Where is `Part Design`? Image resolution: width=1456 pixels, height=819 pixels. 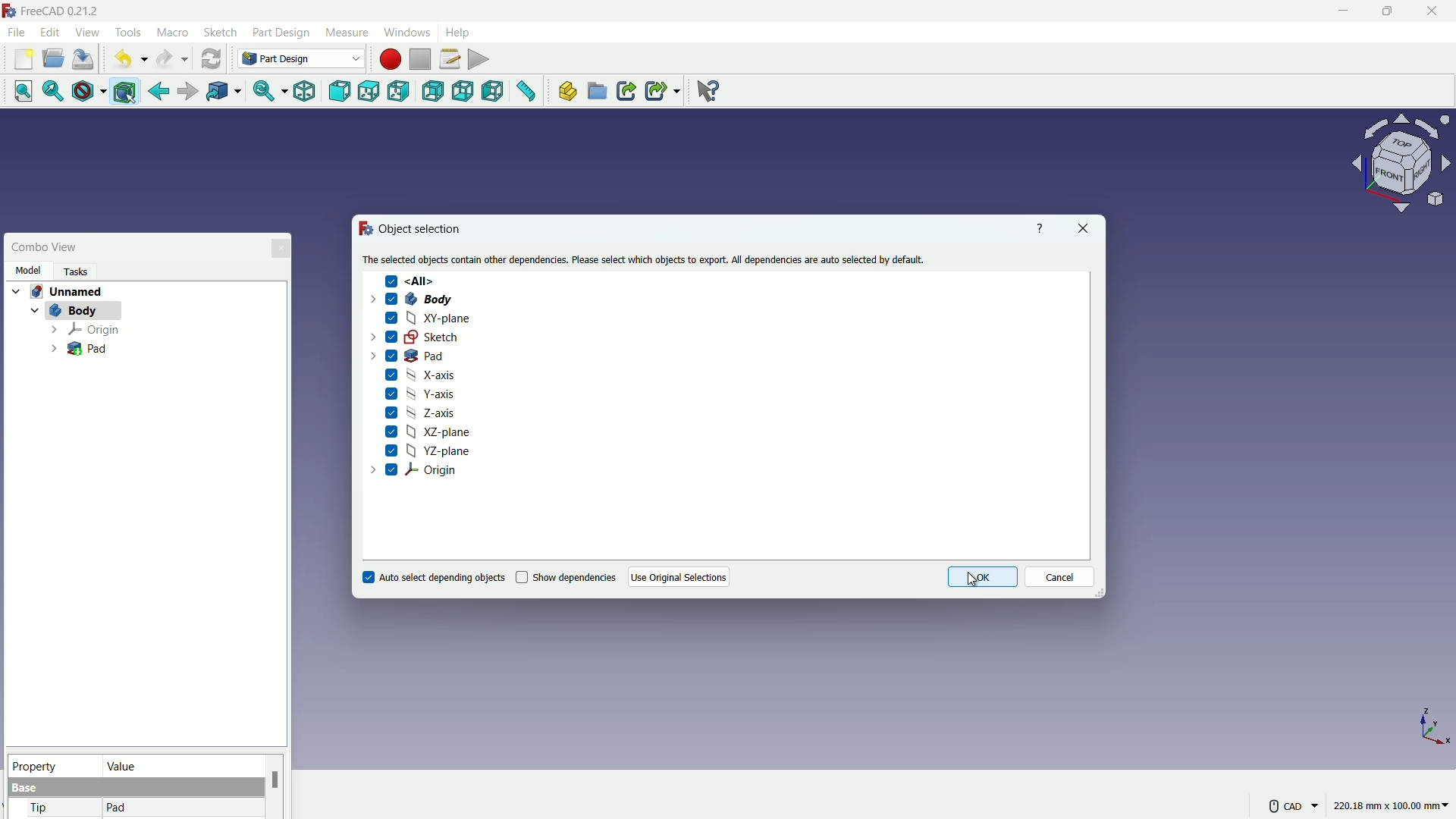 Part Design is located at coordinates (301, 58).